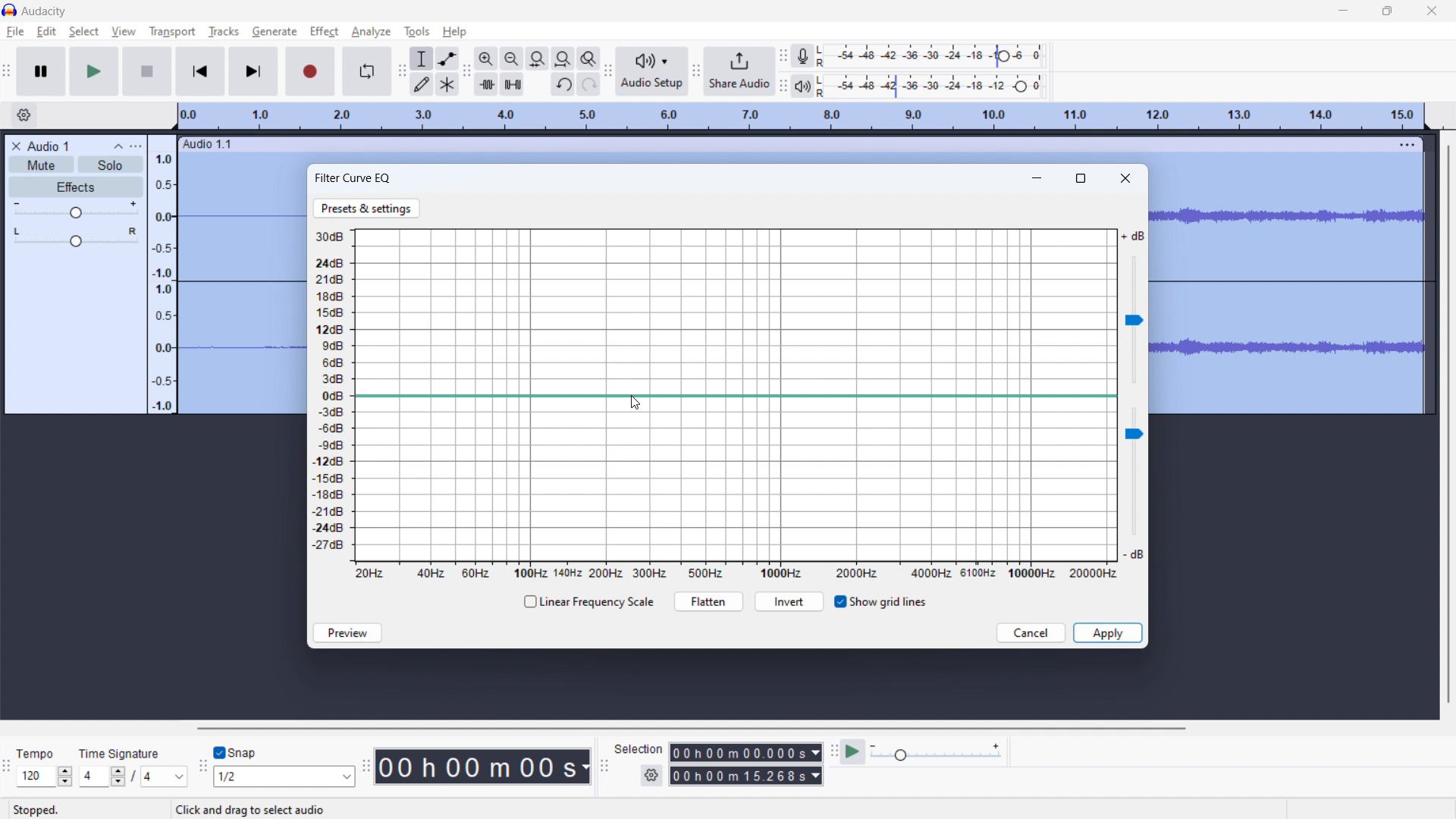 The height and width of the screenshot is (819, 1456). What do you see at coordinates (1407, 144) in the screenshot?
I see `menu` at bounding box center [1407, 144].